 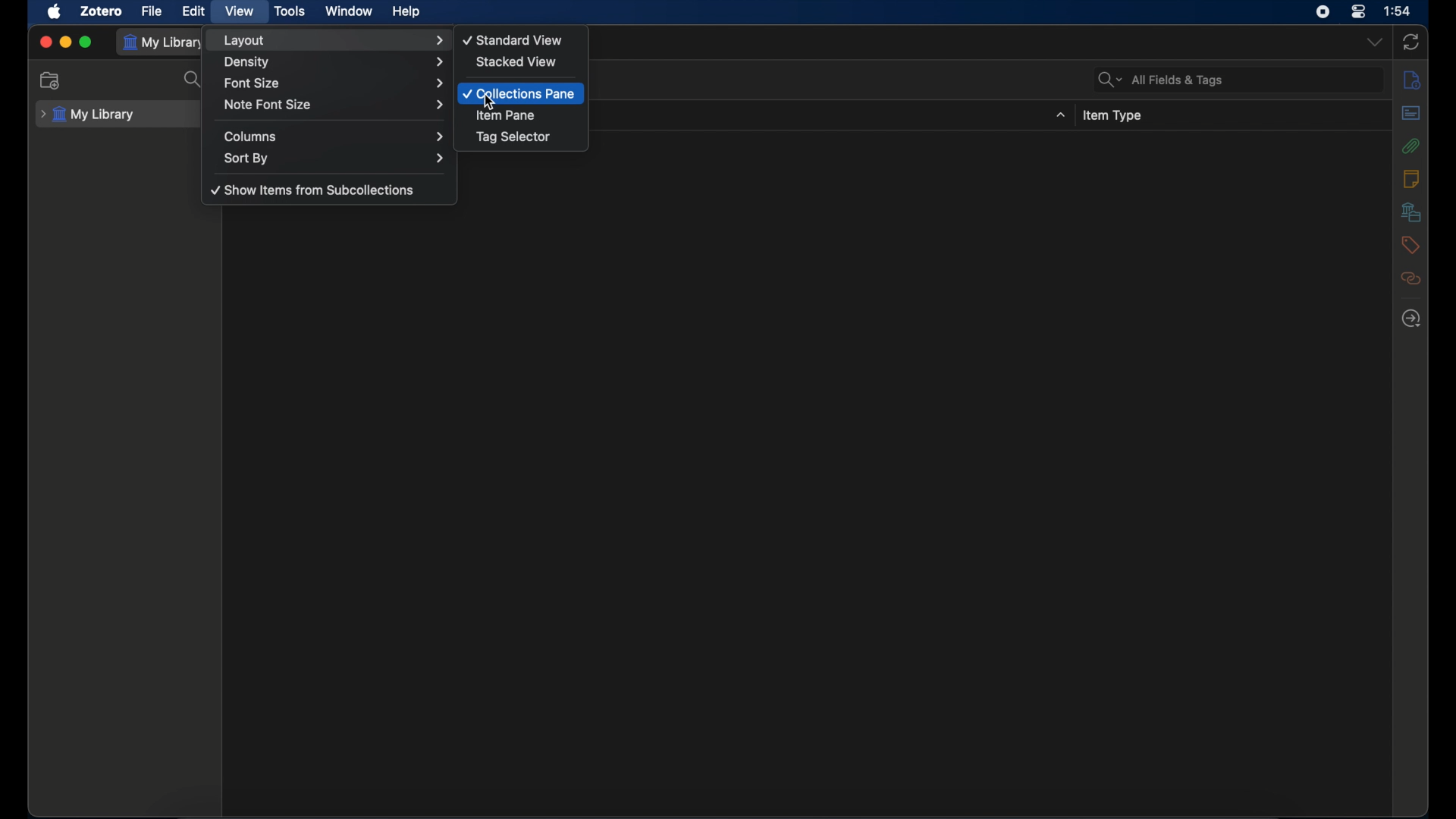 What do you see at coordinates (350, 11) in the screenshot?
I see `window` at bounding box center [350, 11].